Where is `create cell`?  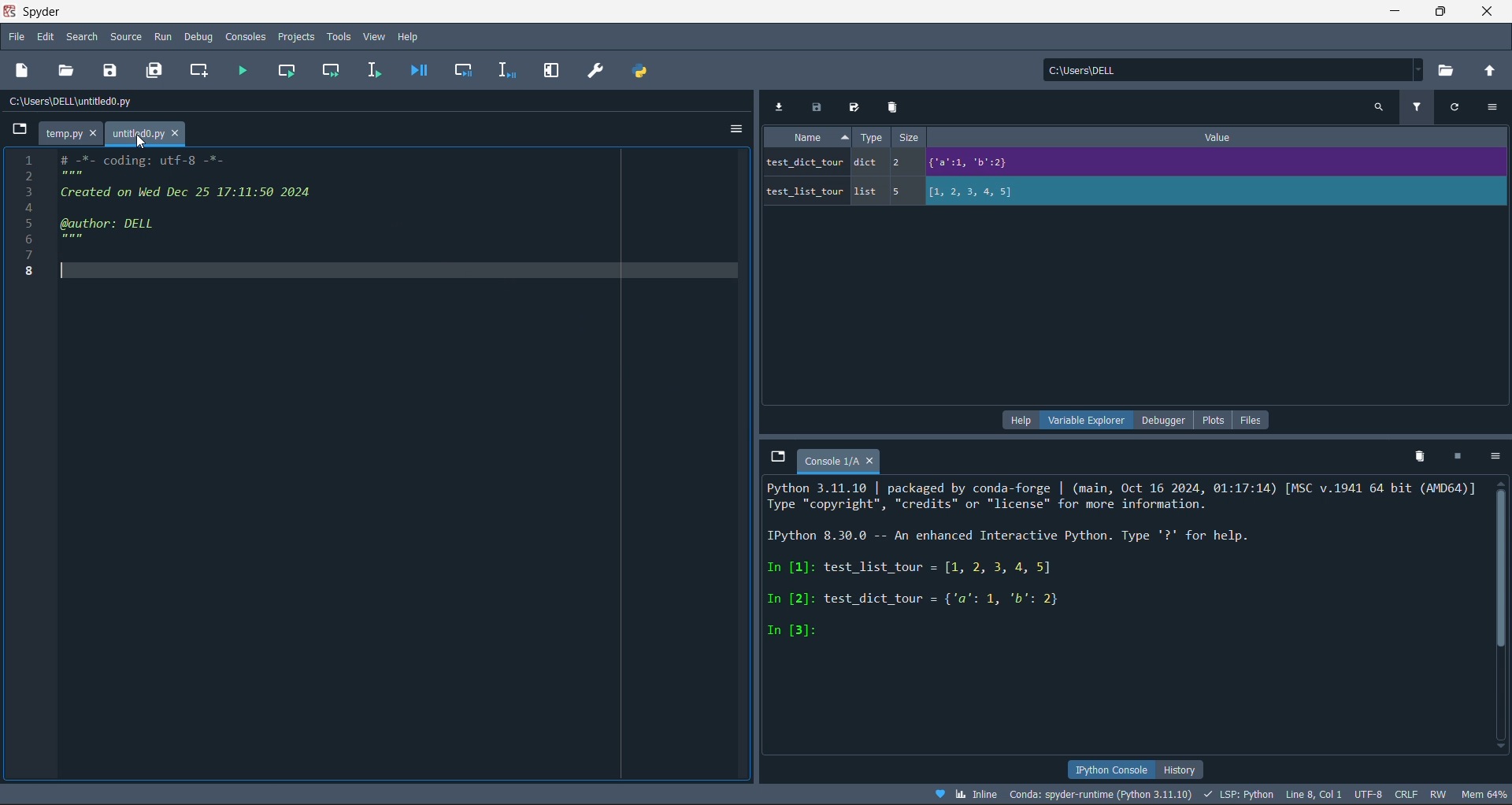 create cell is located at coordinates (202, 71).